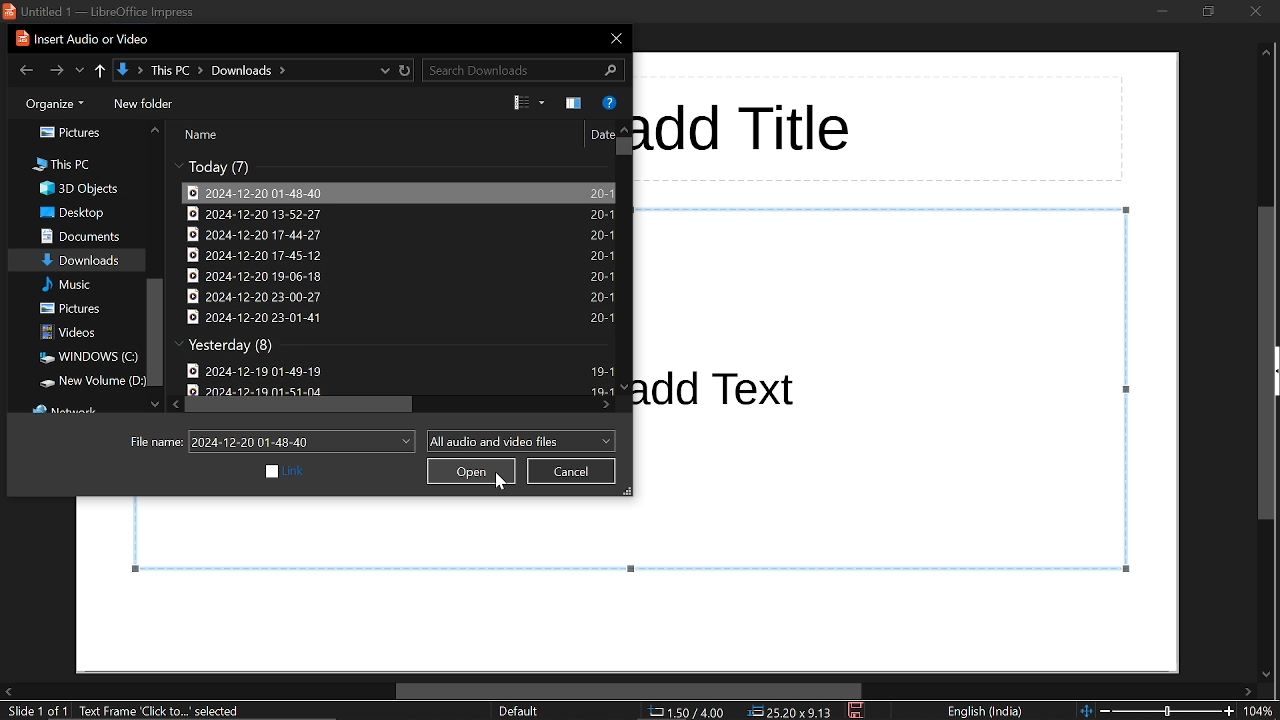 The image size is (1280, 720). I want to click on file format, so click(519, 440).